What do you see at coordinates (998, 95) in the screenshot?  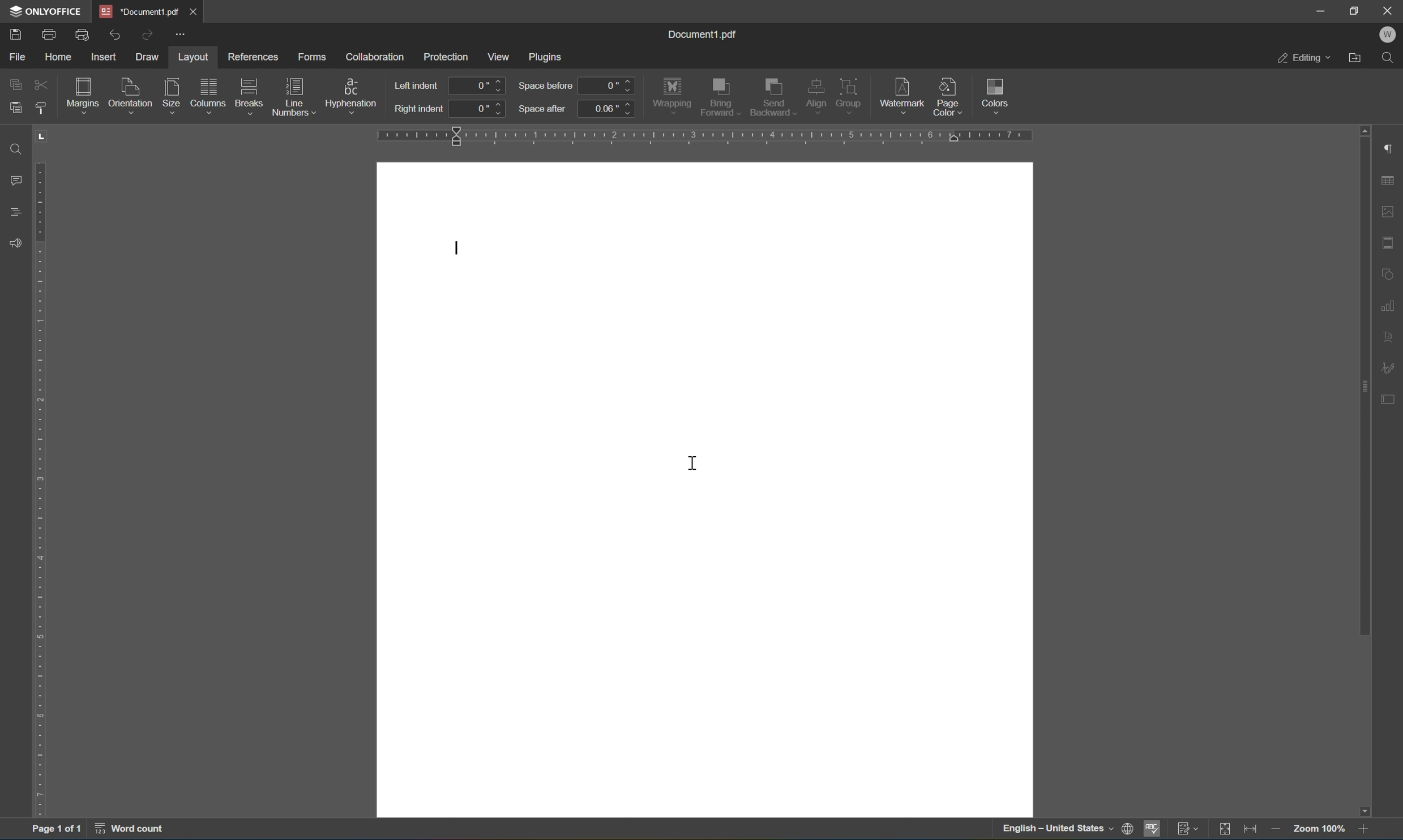 I see `colors` at bounding box center [998, 95].